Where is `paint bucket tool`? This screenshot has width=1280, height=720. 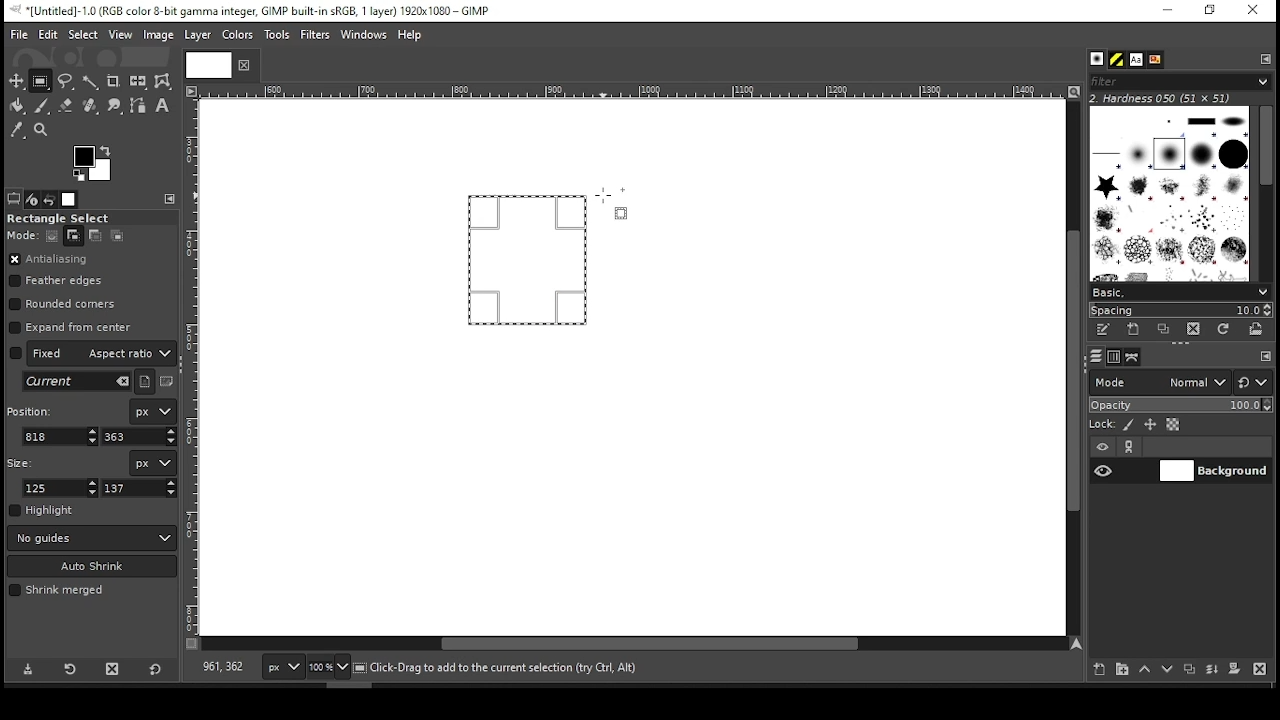
paint bucket tool is located at coordinates (18, 105).